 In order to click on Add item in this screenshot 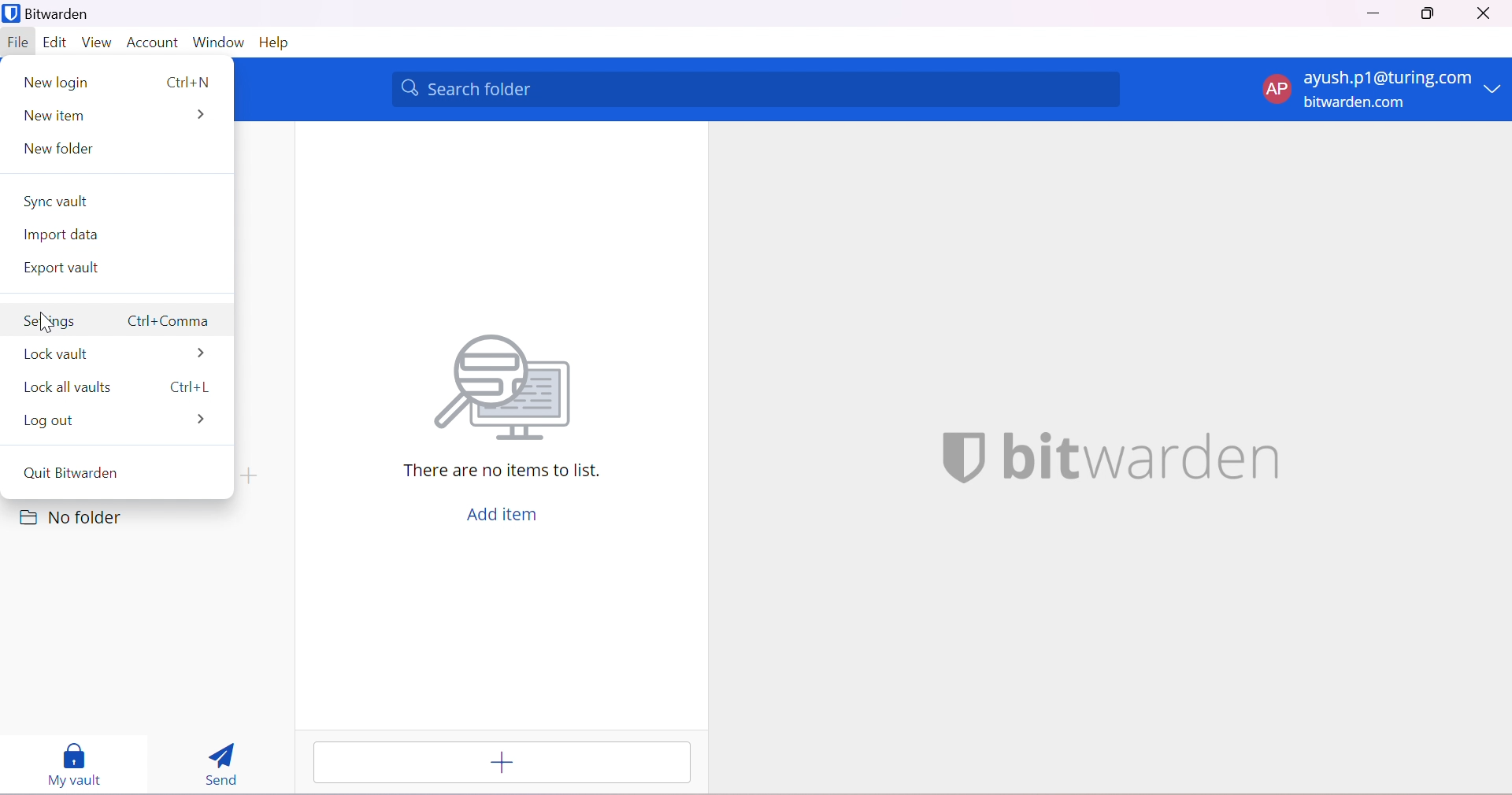, I will do `click(505, 762)`.